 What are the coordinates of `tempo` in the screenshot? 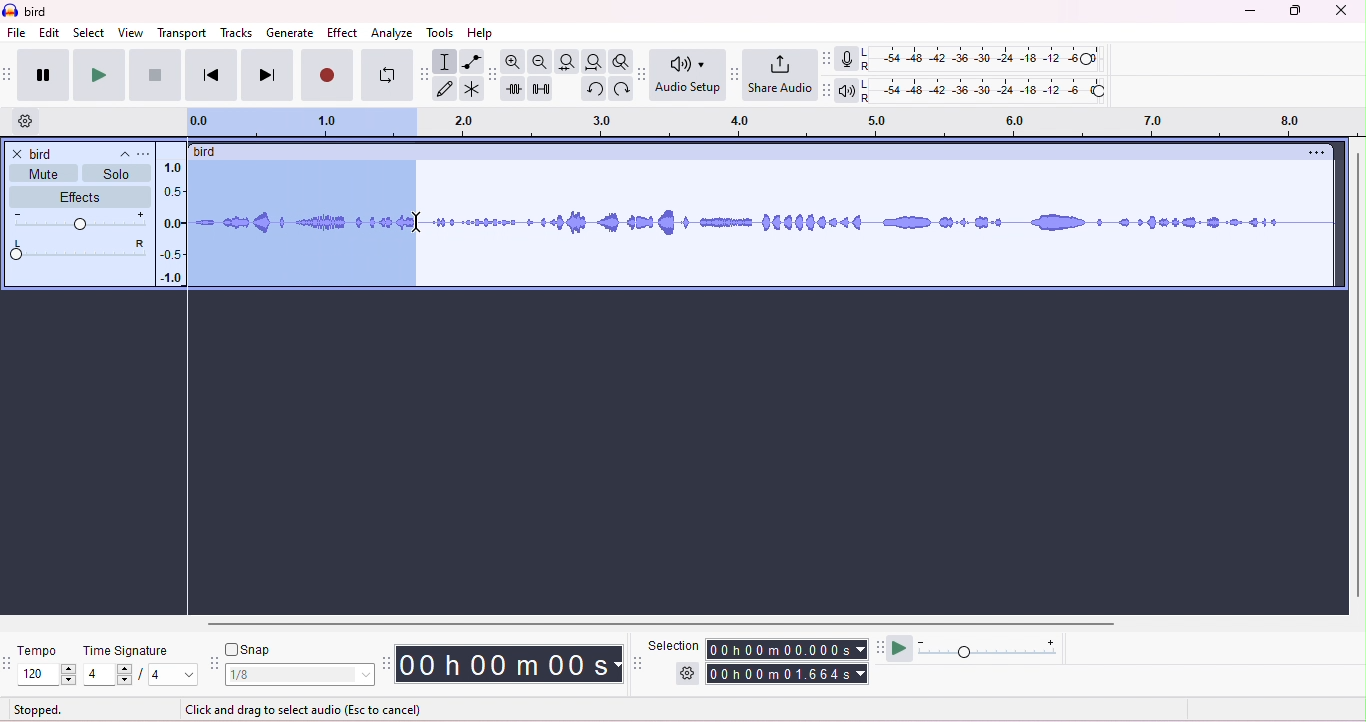 It's located at (44, 649).